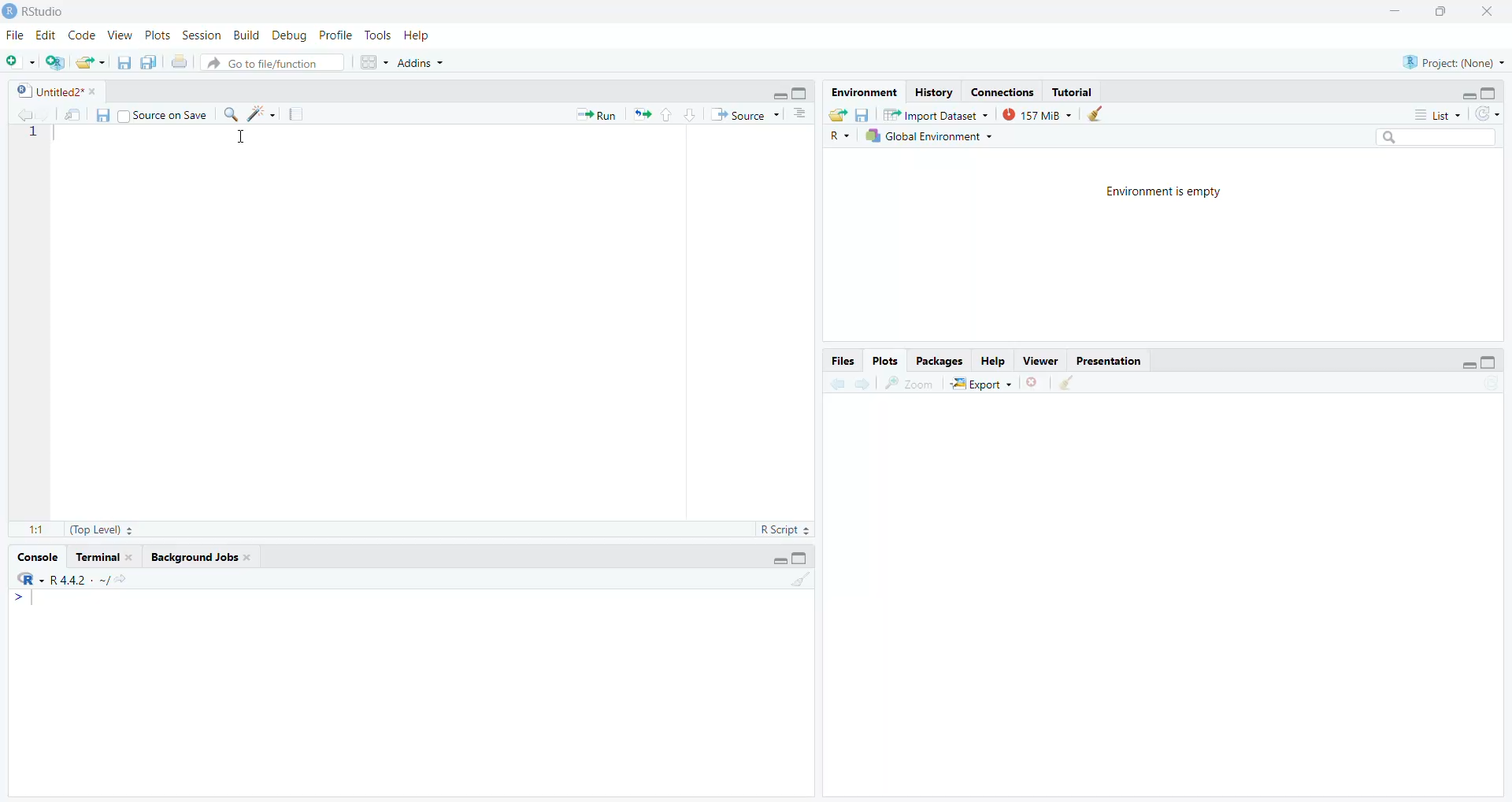  I want to click on Debug, so click(288, 35).